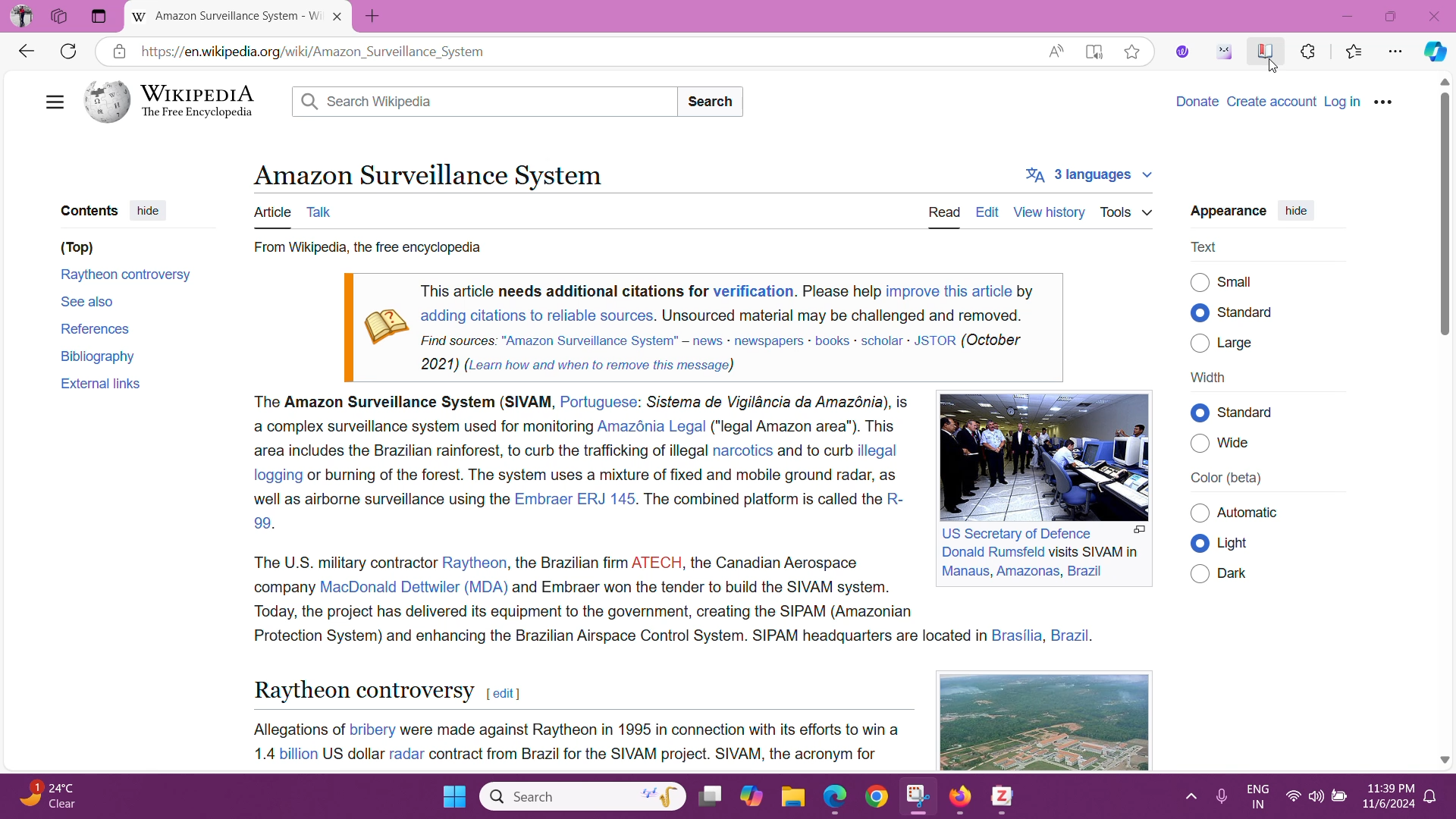 The width and height of the screenshot is (1456, 819). I want to click on Selected, so click(1200, 413).